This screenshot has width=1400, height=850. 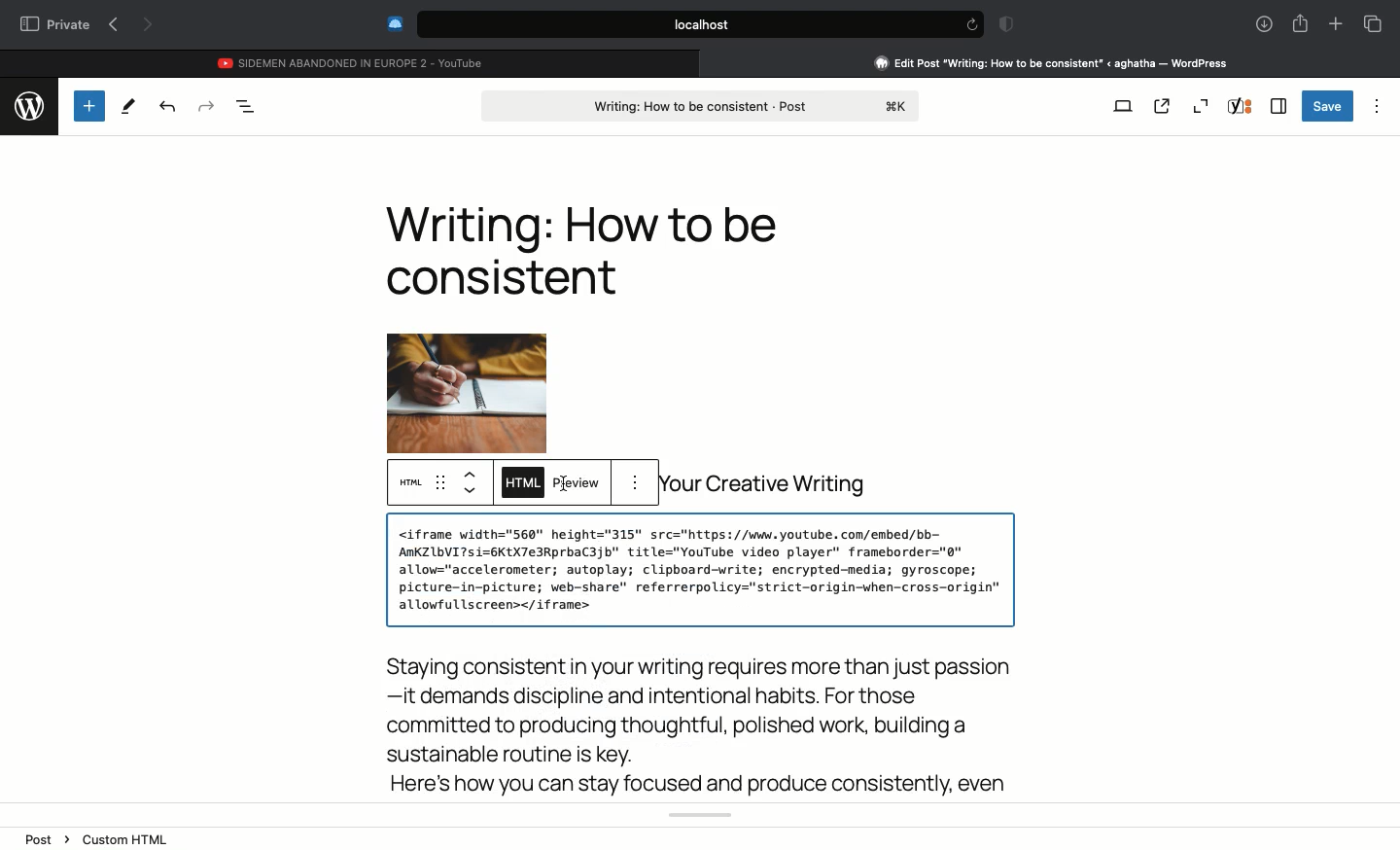 What do you see at coordinates (699, 573) in the screenshot?
I see `Youtube video embedded` at bounding box center [699, 573].